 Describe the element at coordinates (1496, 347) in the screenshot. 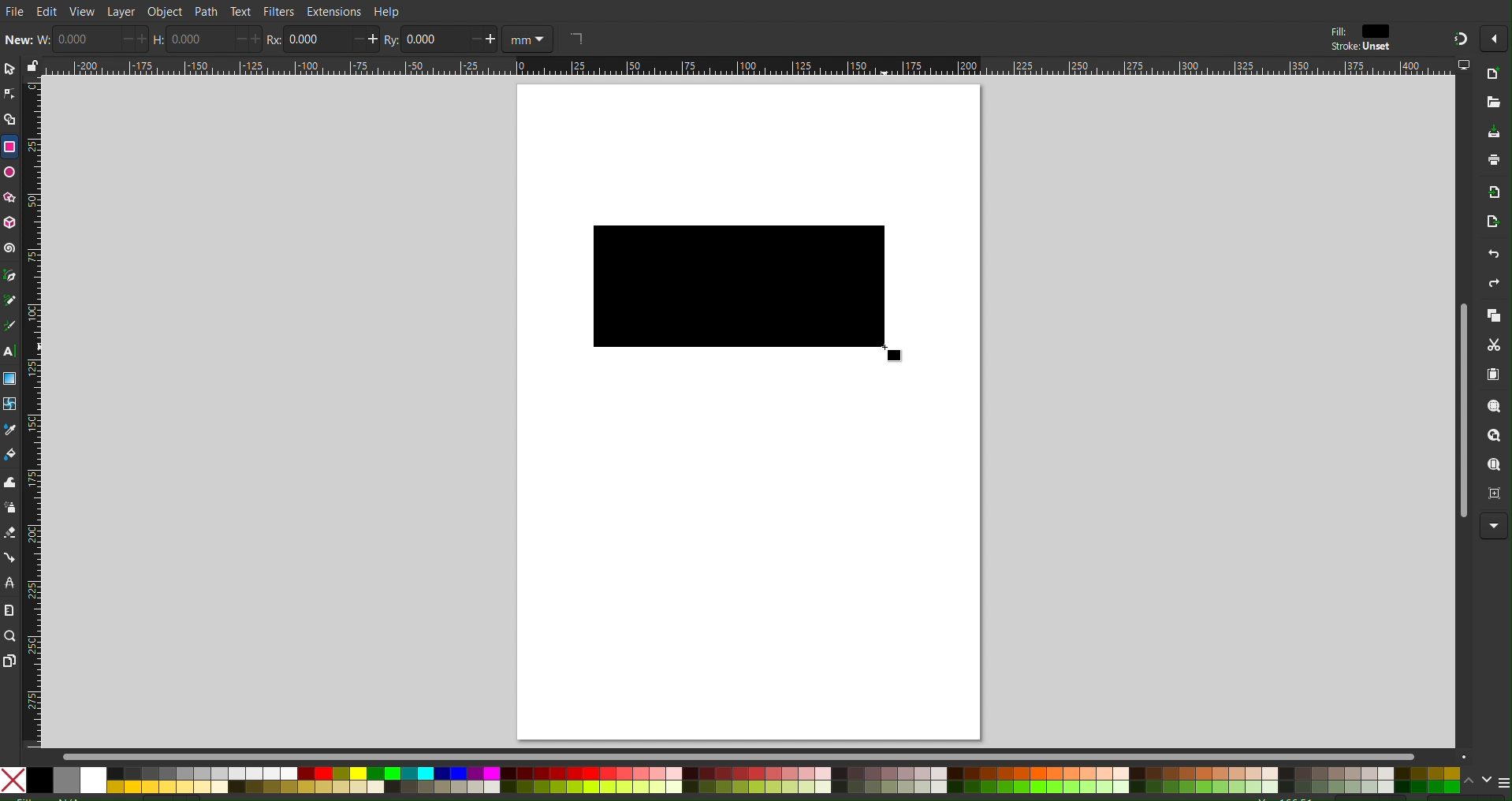

I see `Cut` at that location.